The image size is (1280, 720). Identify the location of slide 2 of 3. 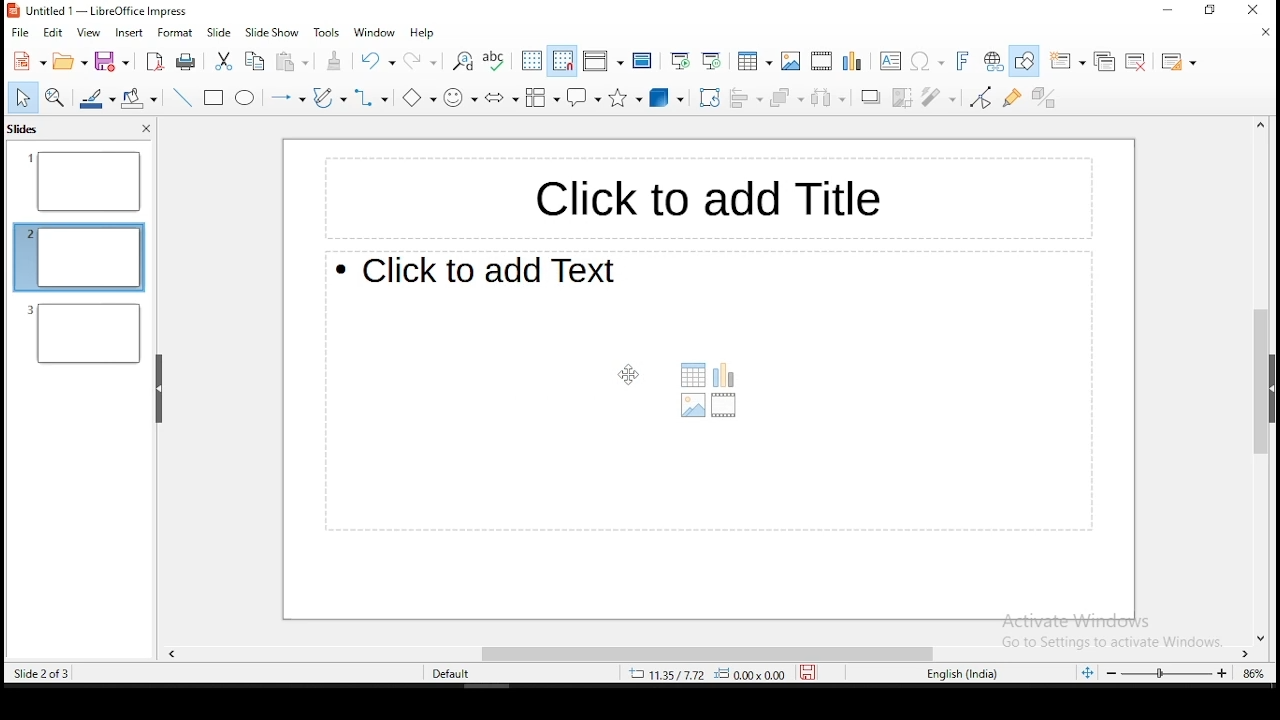
(40, 674).